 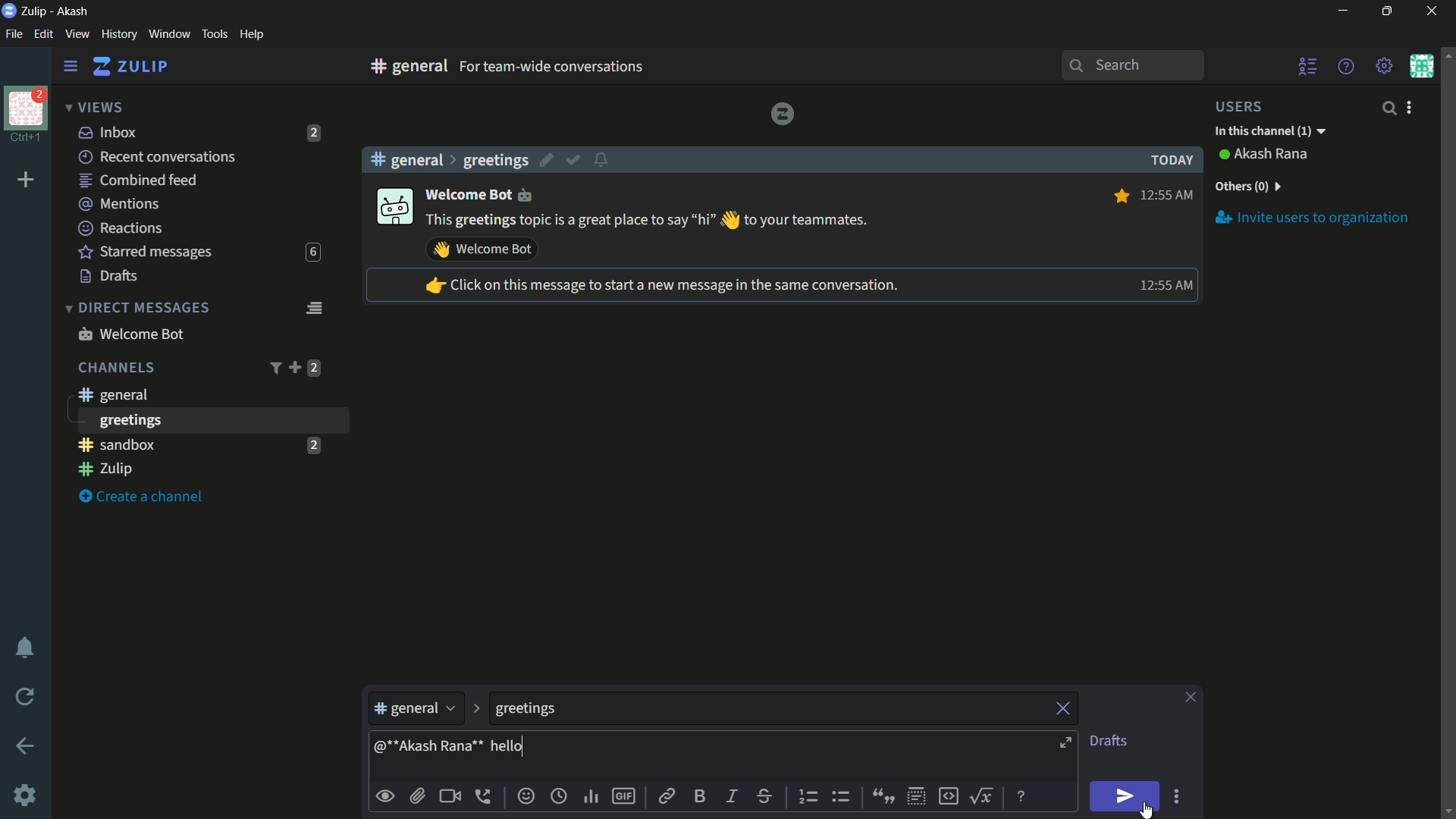 What do you see at coordinates (559, 798) in the screenshot?
I see `add globe` at bounding box center [559, 798].